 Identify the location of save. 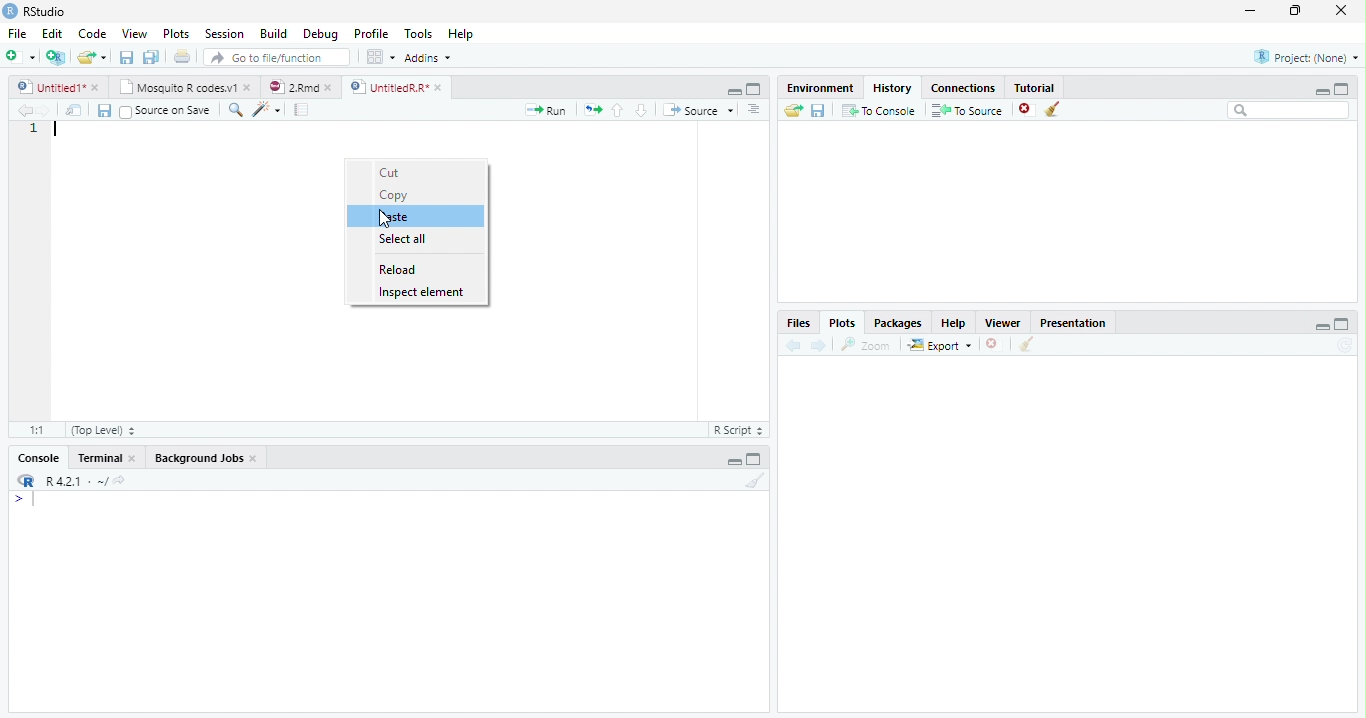
(818, 110).